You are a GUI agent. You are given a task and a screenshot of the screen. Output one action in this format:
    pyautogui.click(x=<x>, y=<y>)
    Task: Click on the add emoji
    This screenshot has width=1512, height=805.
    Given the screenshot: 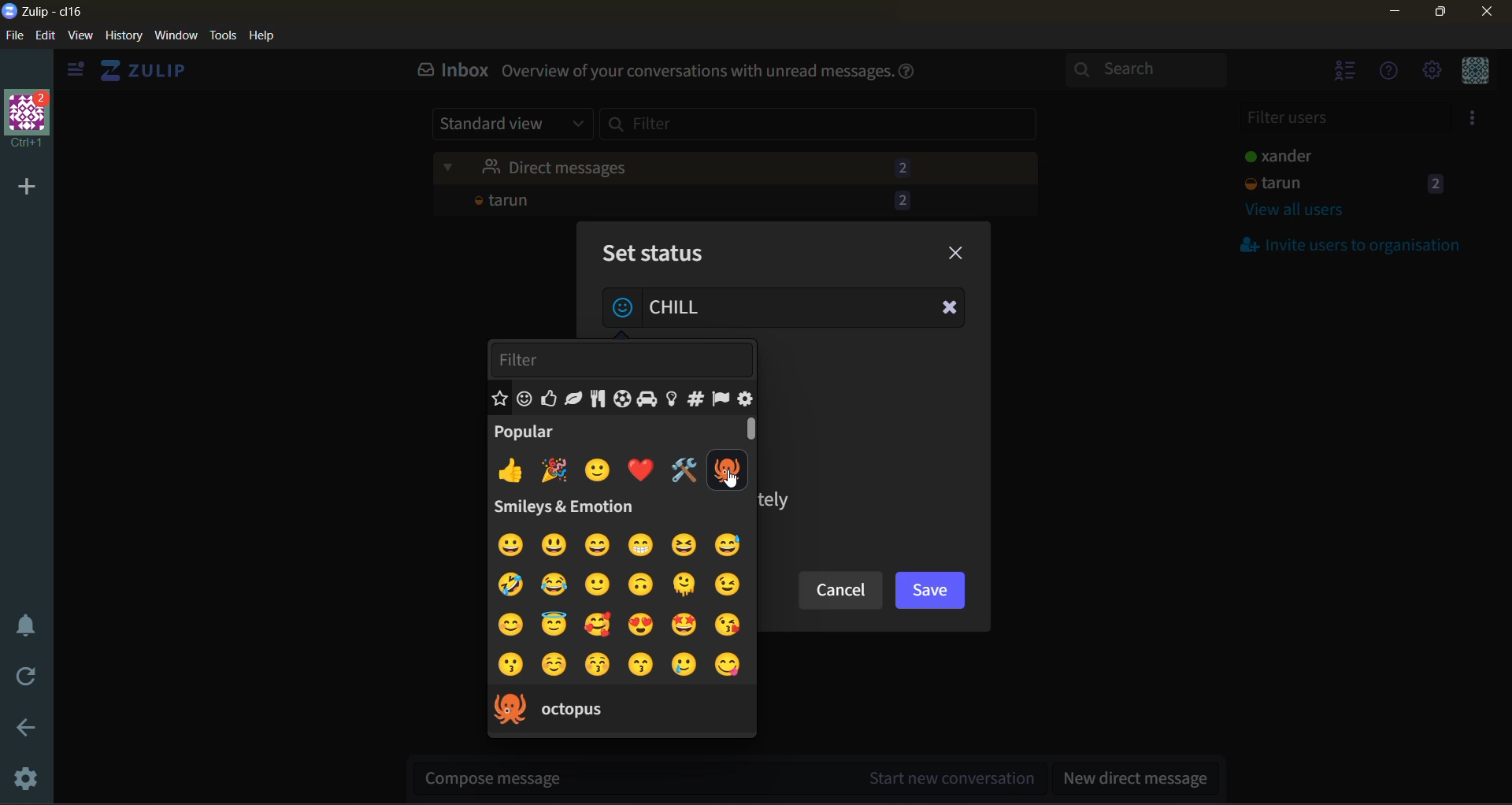 What is the action you would take?
    pyautogui.click(x=624, y=308)
    